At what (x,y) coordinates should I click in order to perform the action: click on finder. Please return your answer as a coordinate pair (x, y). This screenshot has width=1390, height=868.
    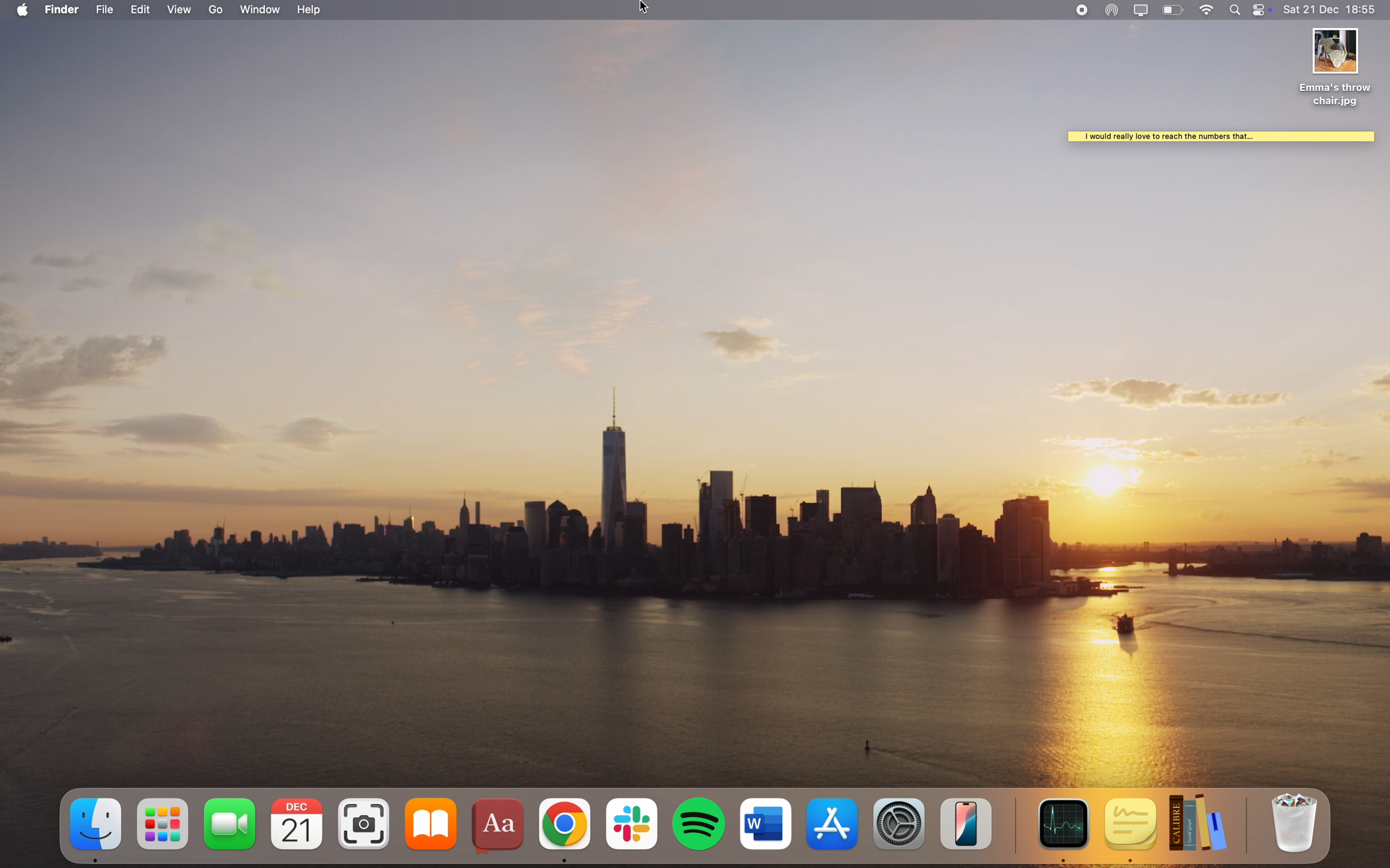
    Looking at the image, I should click on (93, 830).